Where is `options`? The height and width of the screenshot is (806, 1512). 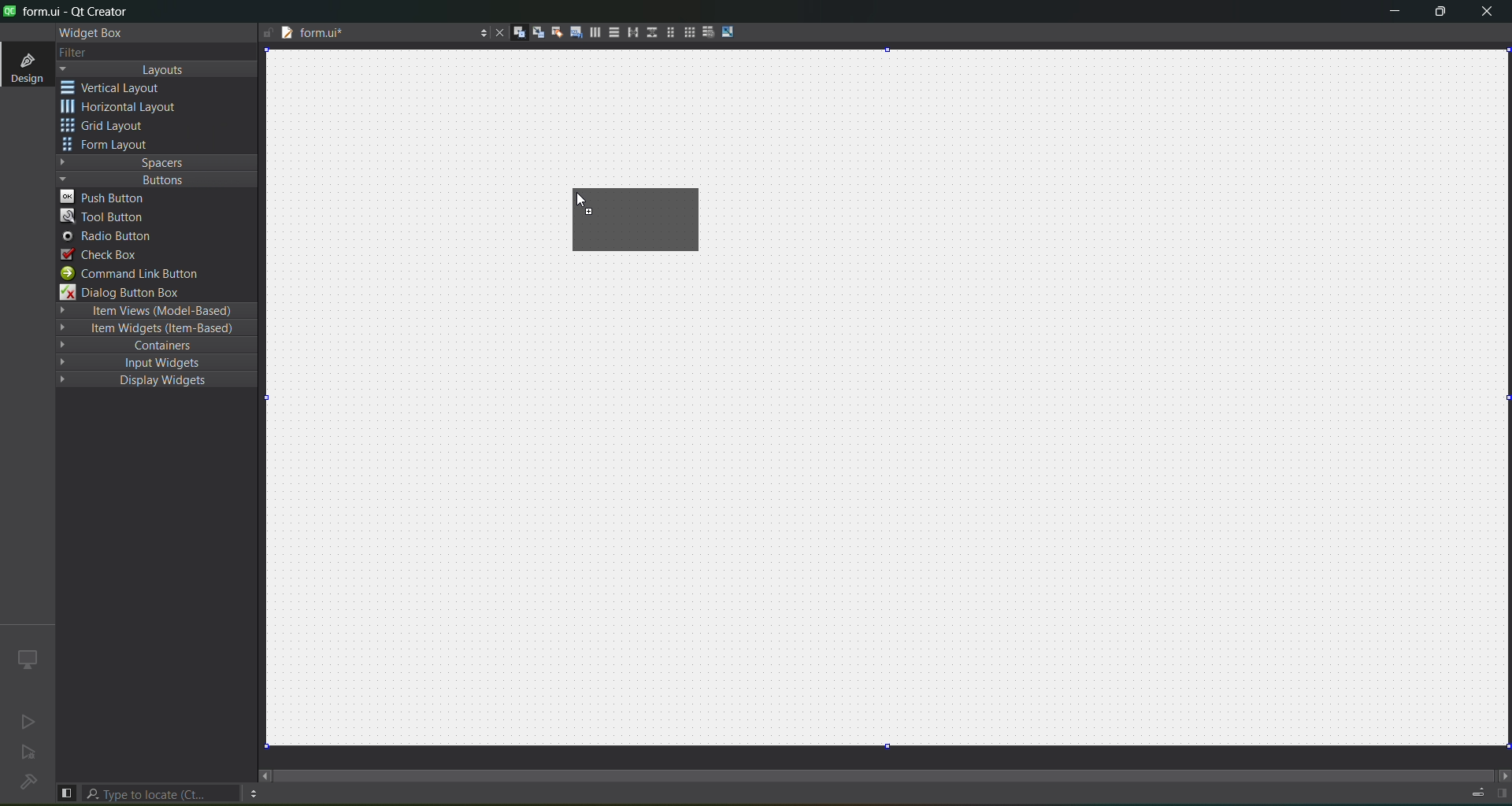 options is located at coordinates (253, 793).